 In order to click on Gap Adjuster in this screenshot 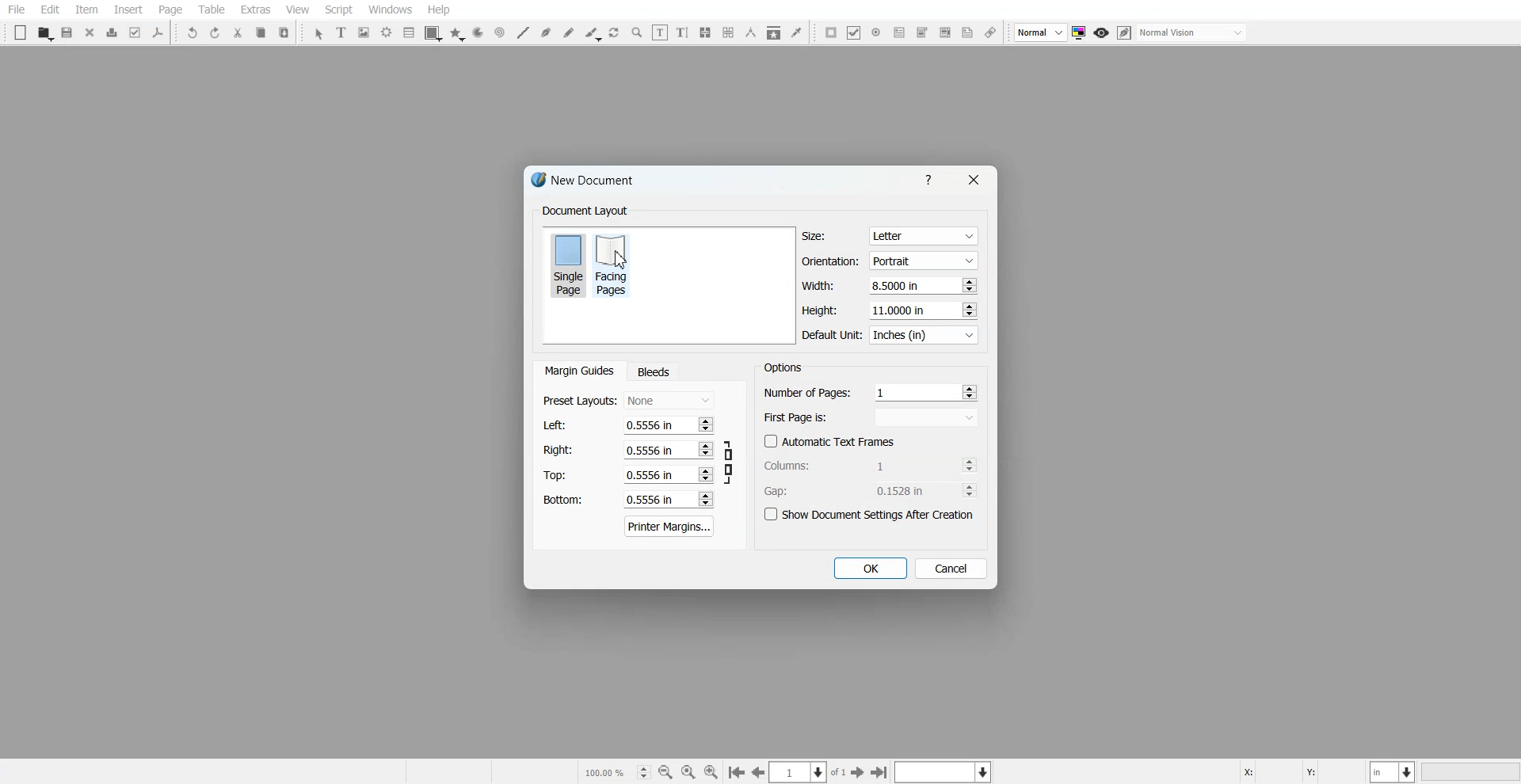, I will do `click(871, 490)`.